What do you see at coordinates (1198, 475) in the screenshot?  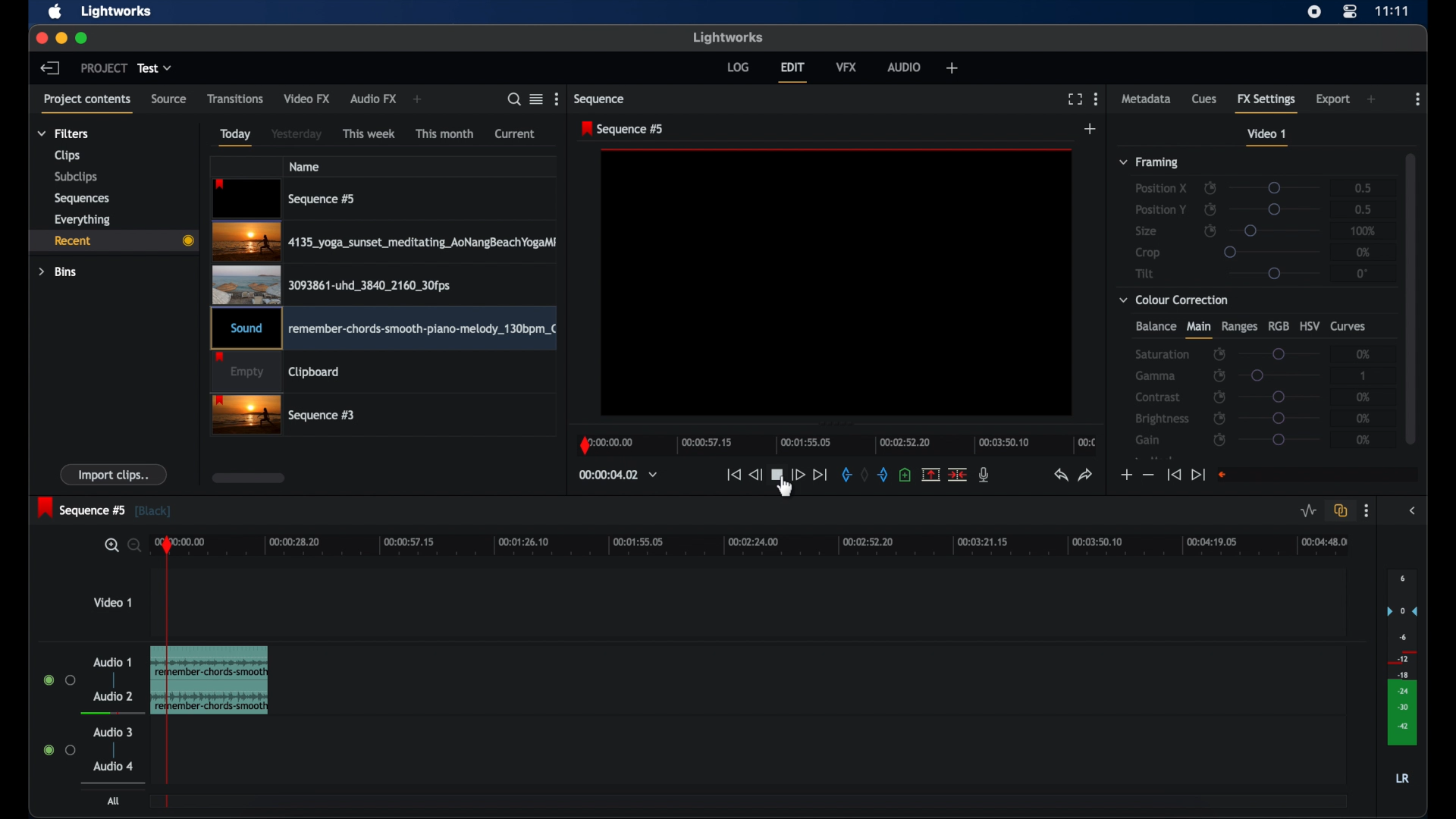 I see `jump to end` at bounding box center [1198, 475].